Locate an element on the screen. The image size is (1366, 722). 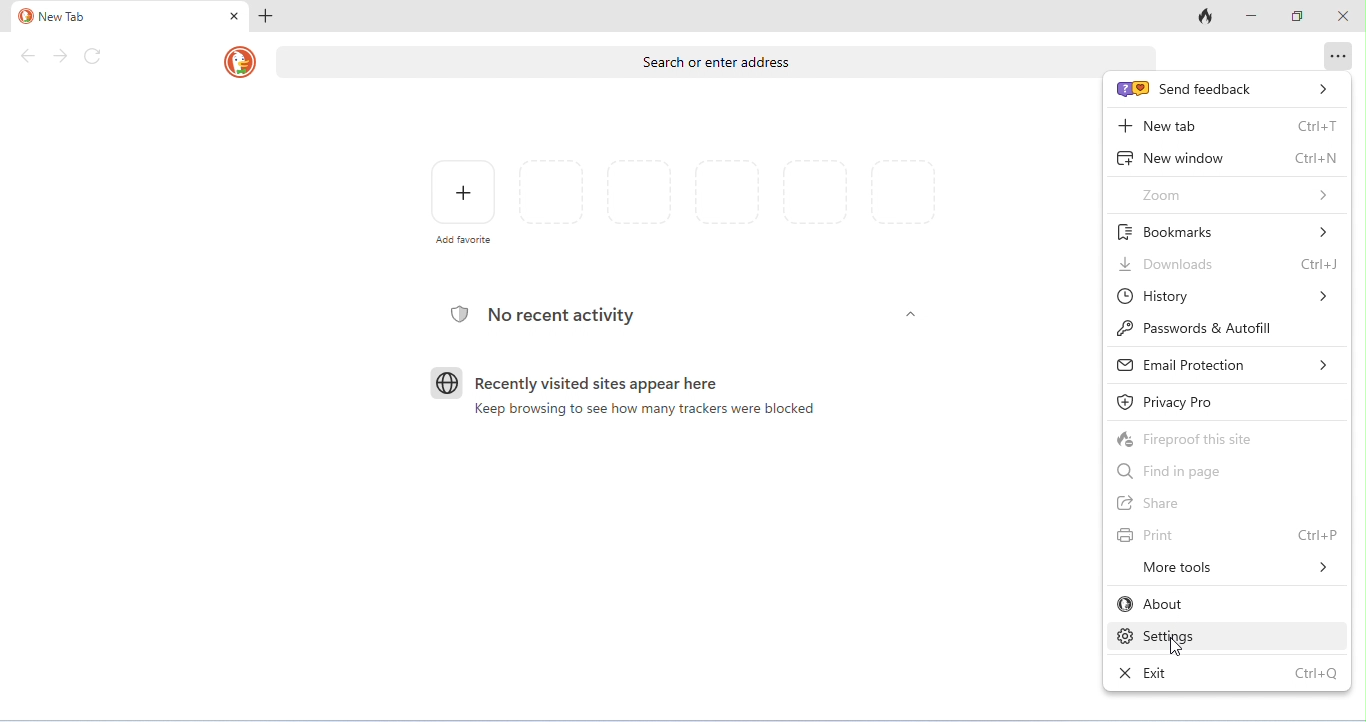
duckduckgo logo is located at coordinates (241, 63).